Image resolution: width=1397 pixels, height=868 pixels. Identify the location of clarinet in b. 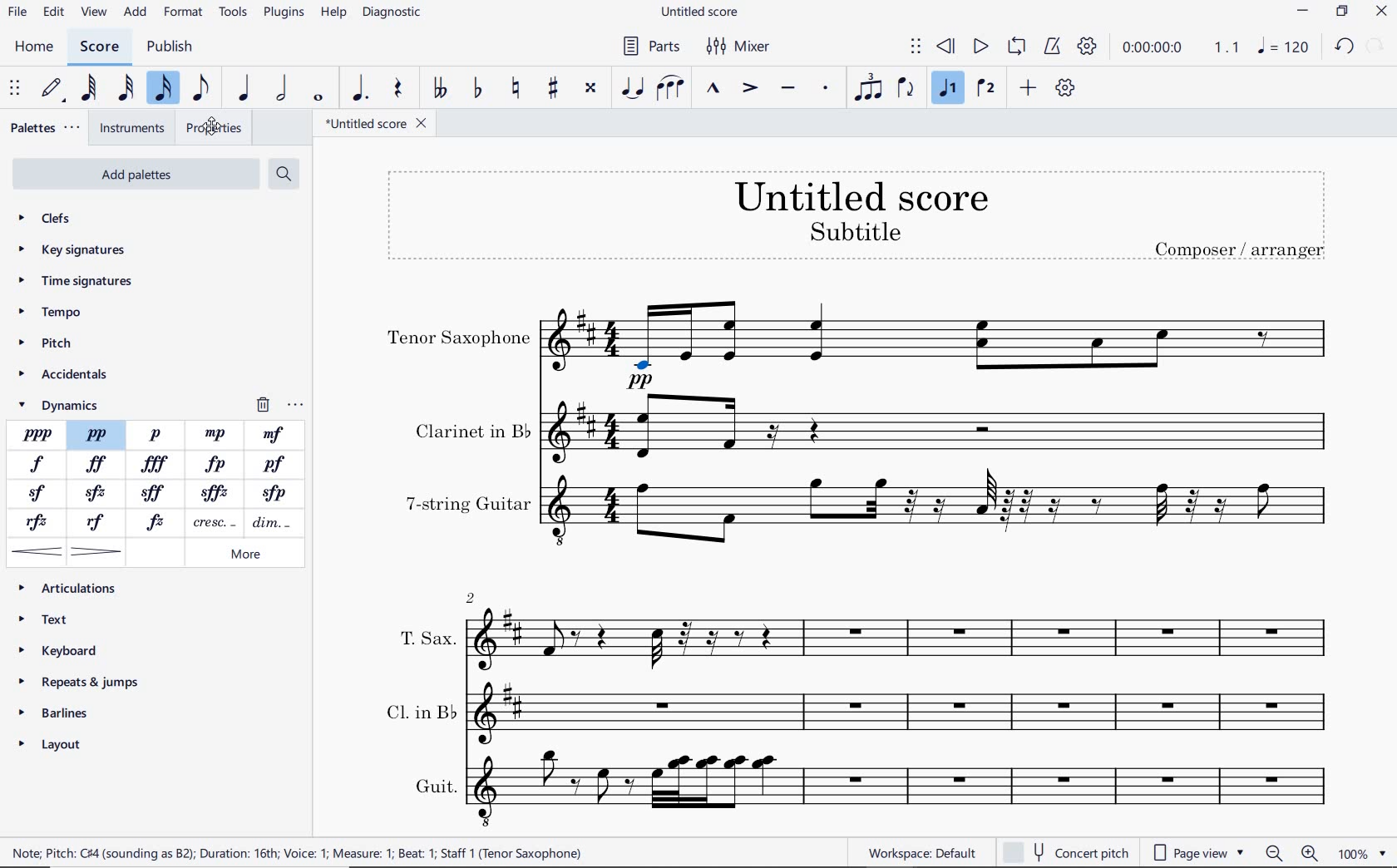
(941, 428).